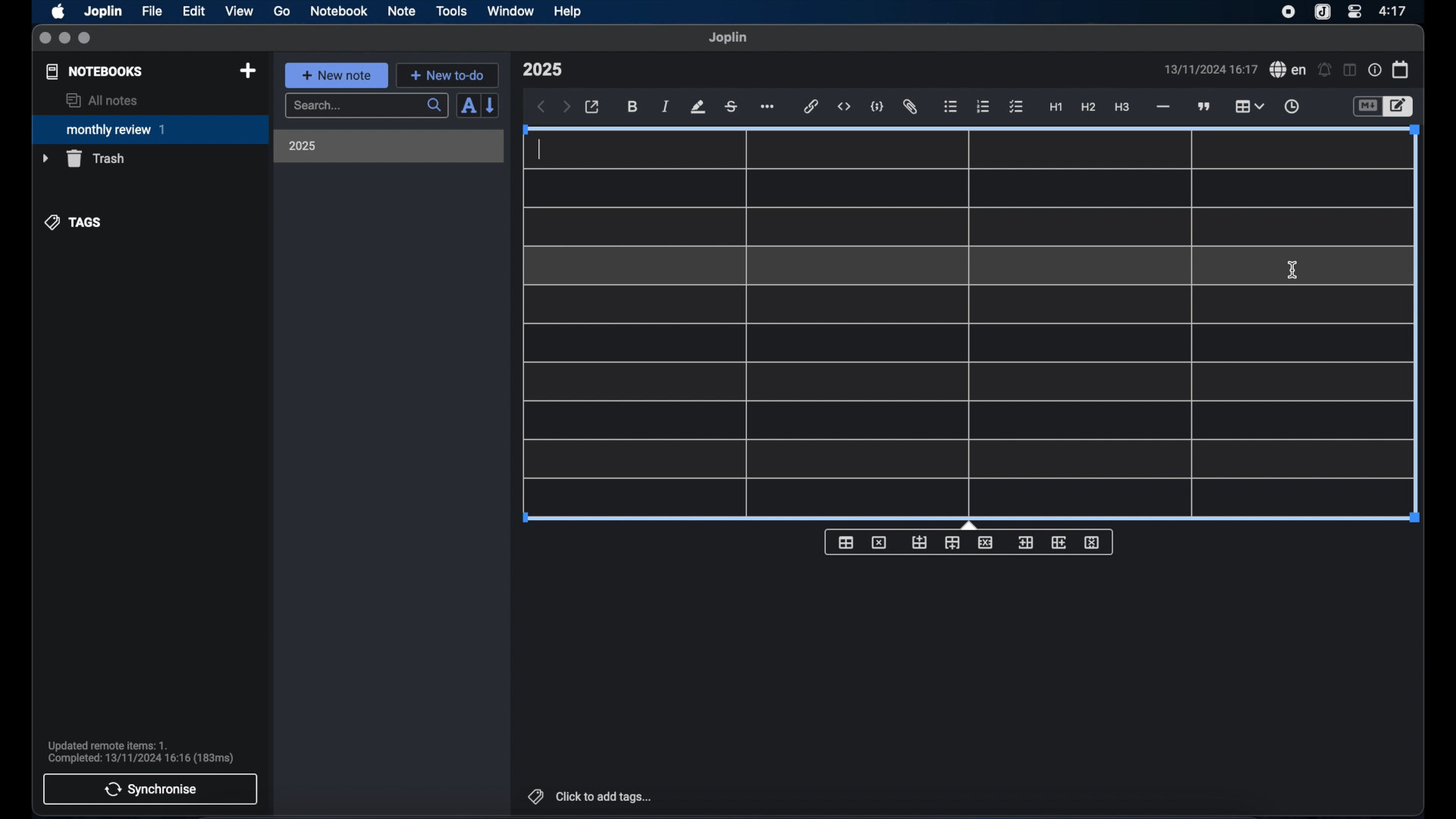  I want to click on strikethrough, so click(730, 107).